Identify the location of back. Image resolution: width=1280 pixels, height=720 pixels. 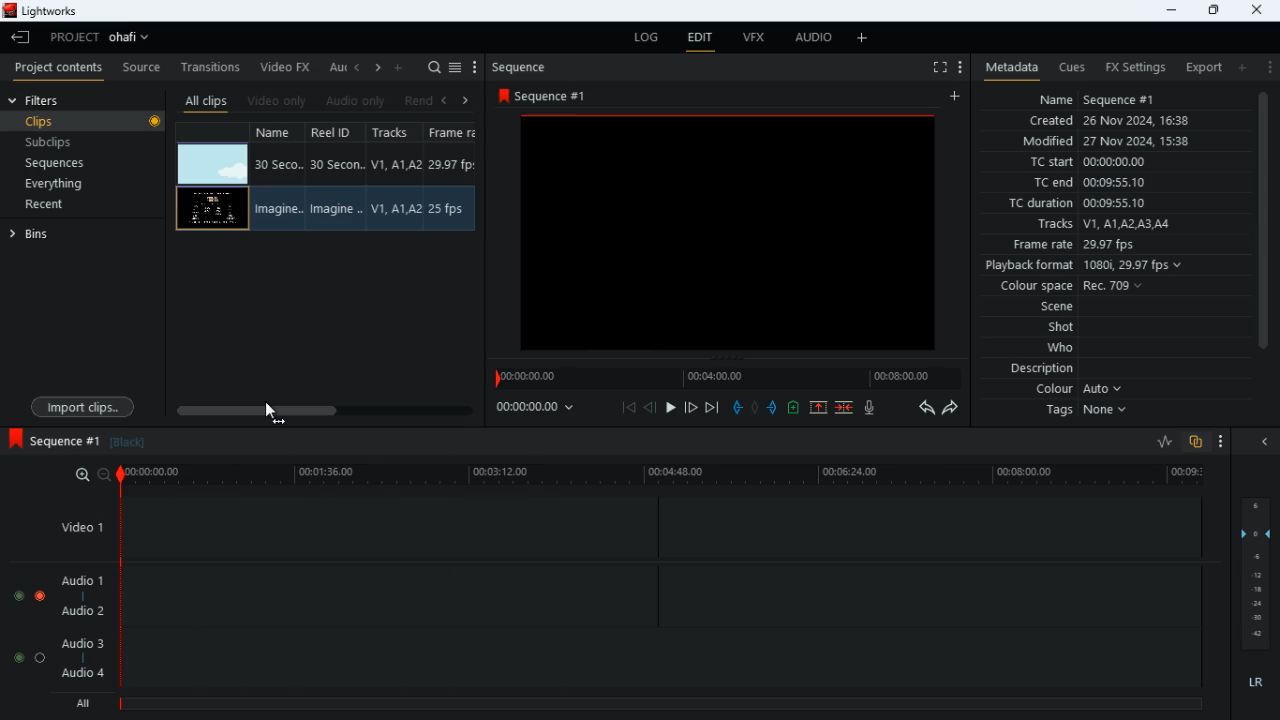
(650, 407).